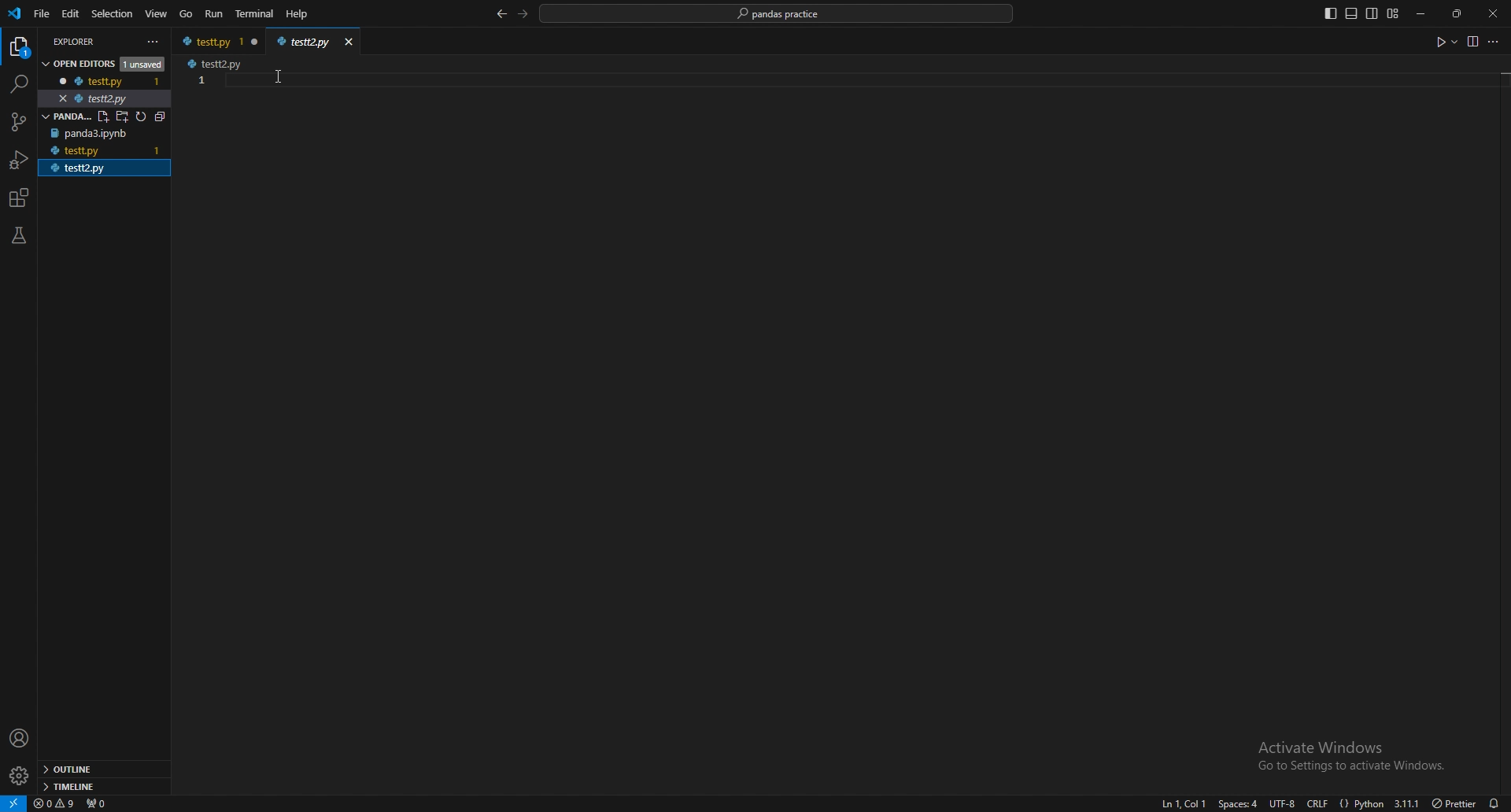 This screenshot has height=812, width=1511. What do you see at coordinates (20, 198) in the screenshot?
I see `extensions` at bounding box center [20, 198].